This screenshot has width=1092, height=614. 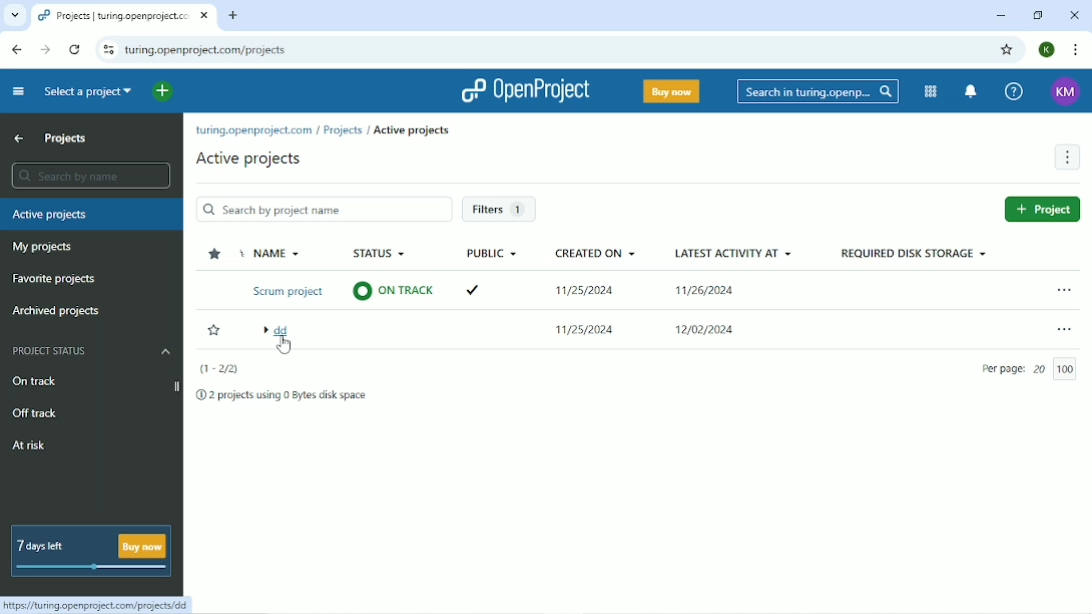 I want to click on Per page, so click(x=1030, y=370).